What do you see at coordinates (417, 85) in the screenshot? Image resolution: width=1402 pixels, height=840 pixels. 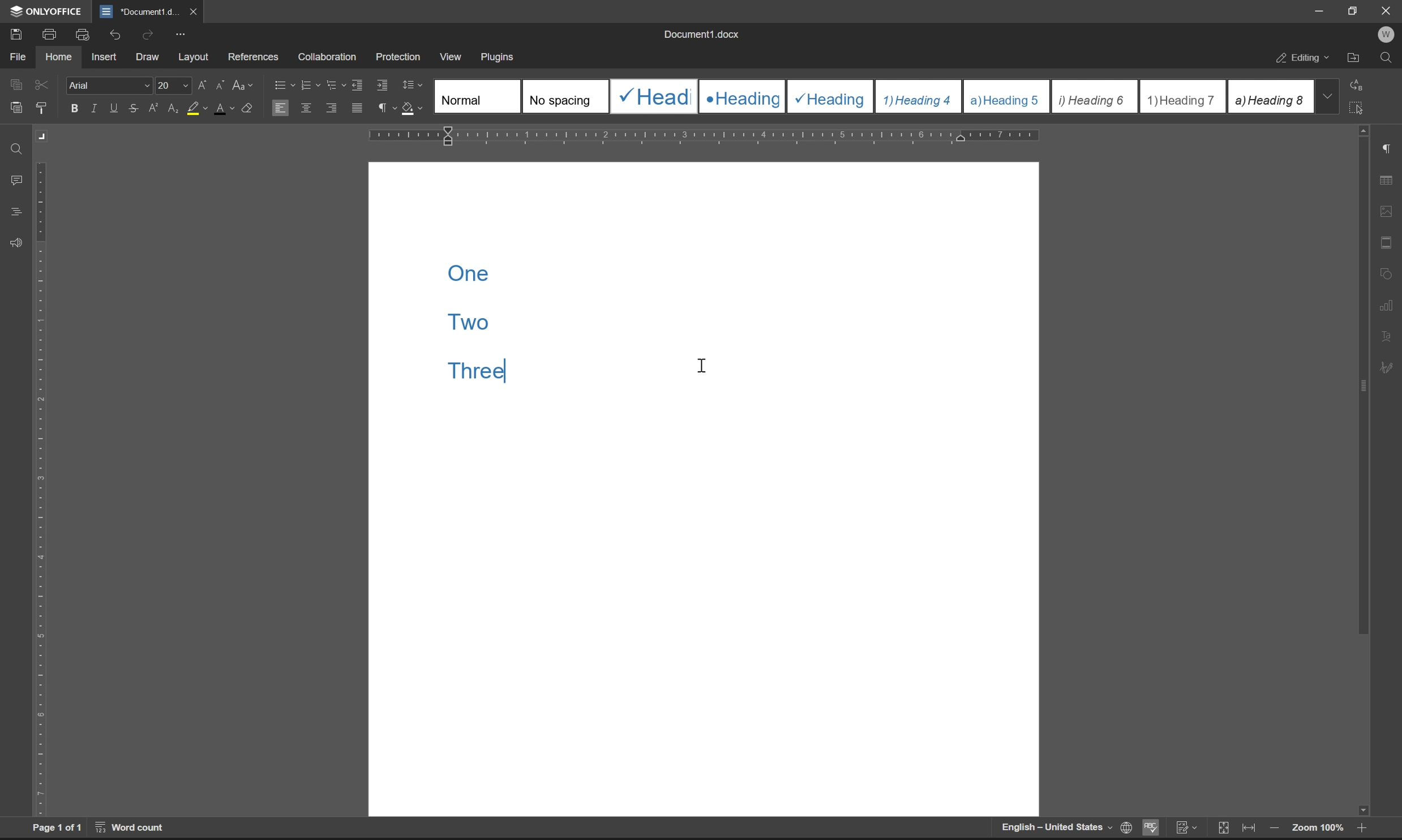 I see `Line spacing` at bounding box center [417, 85].